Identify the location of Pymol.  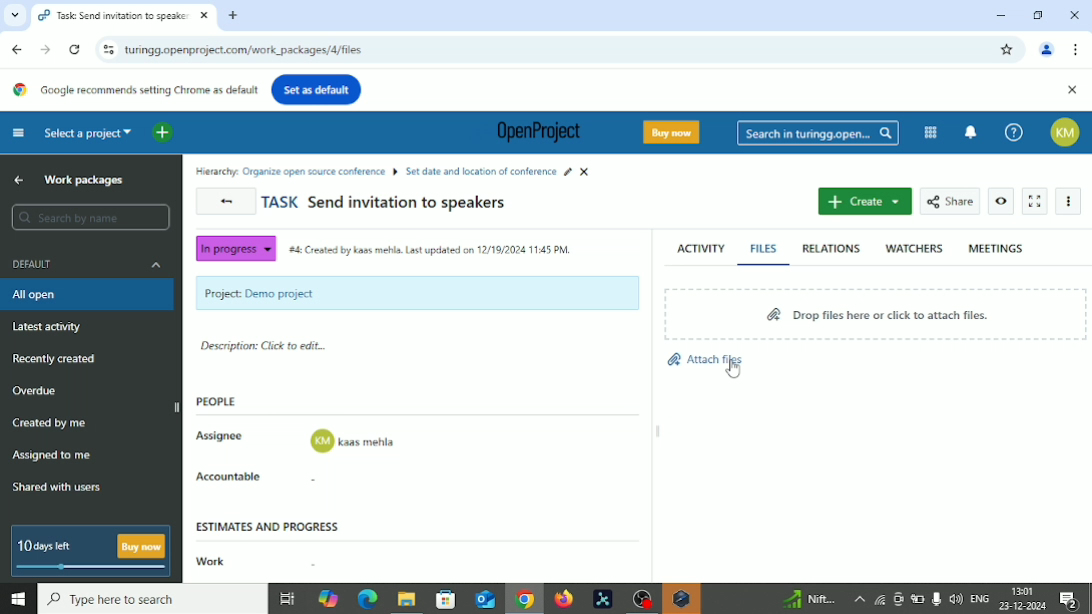
(603, 600).